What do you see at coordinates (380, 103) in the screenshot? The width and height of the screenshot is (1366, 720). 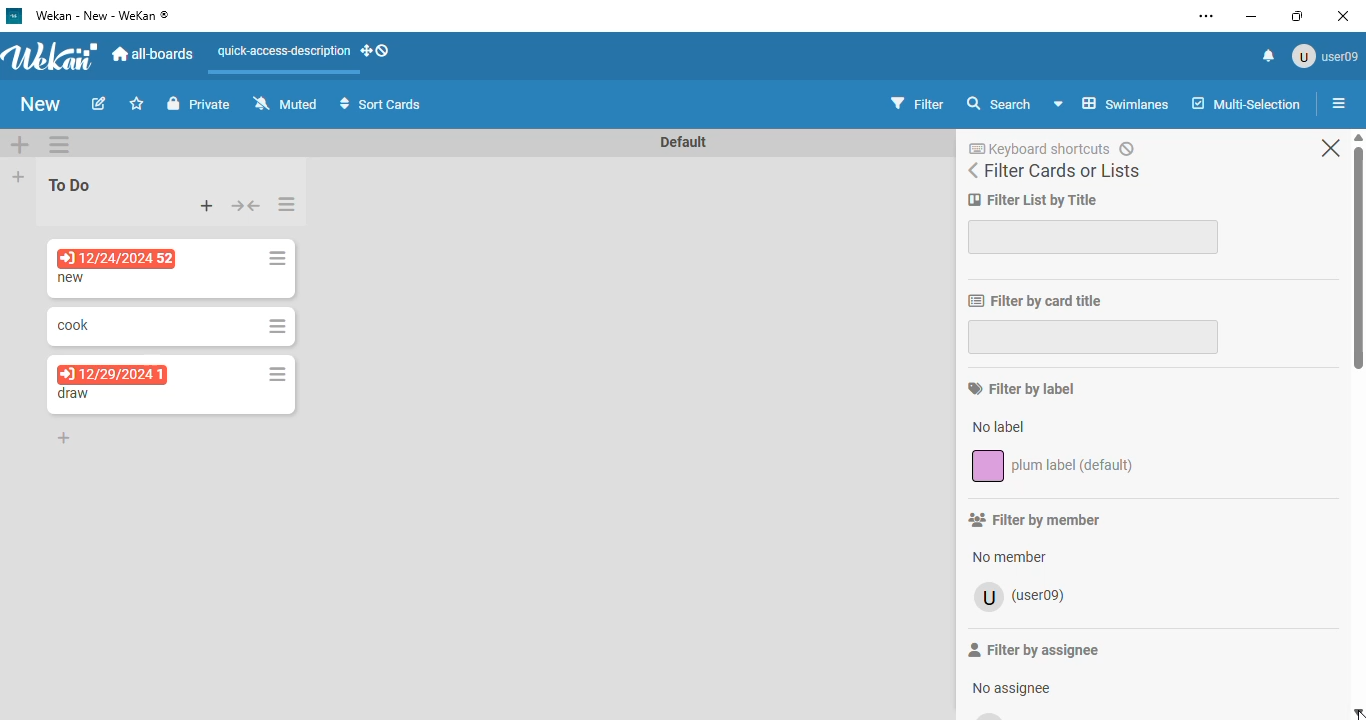 I see `sort cards` at bounding box center [380, 103].